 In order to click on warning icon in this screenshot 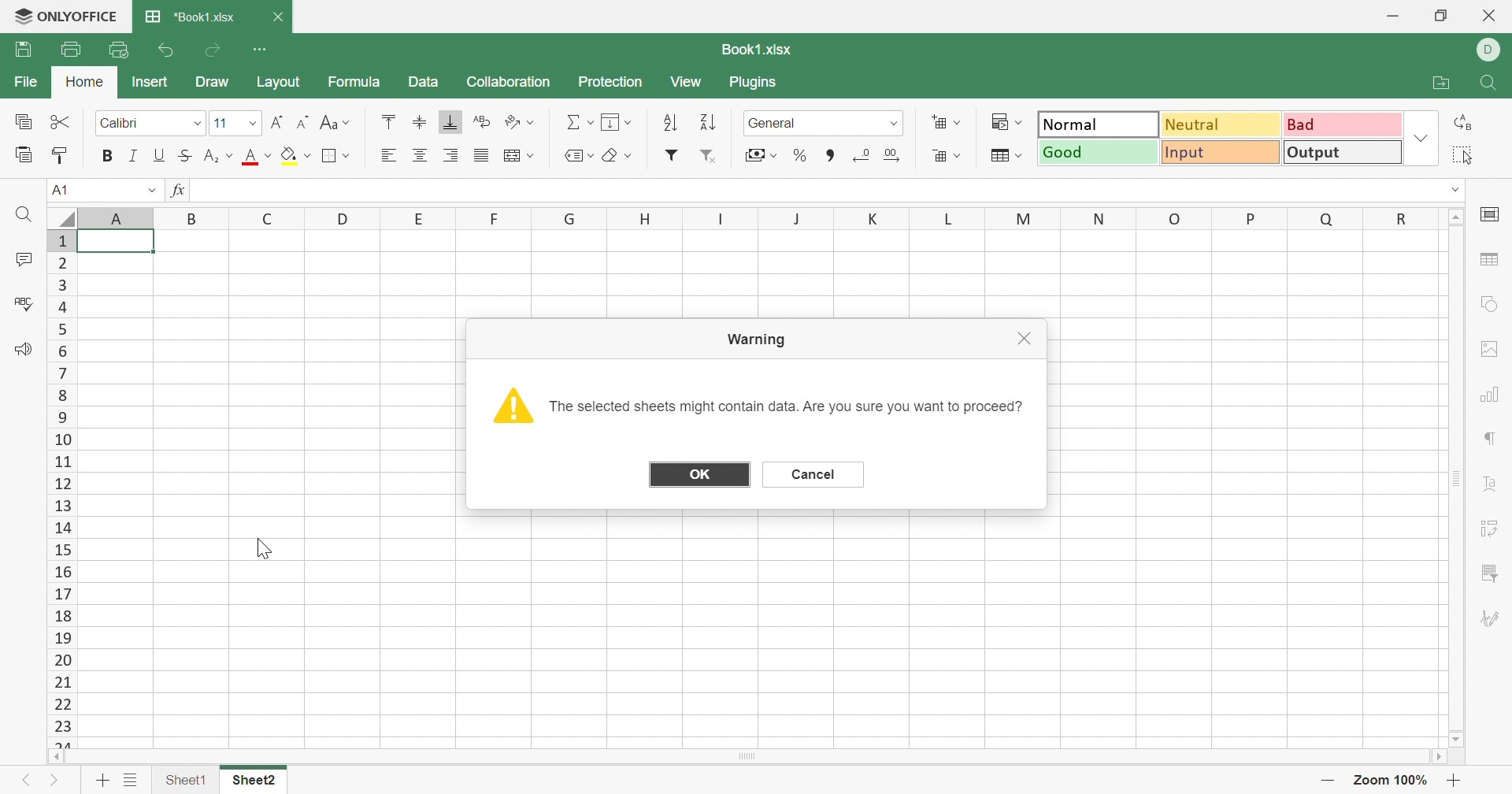, I will do `click(510, 405)`.